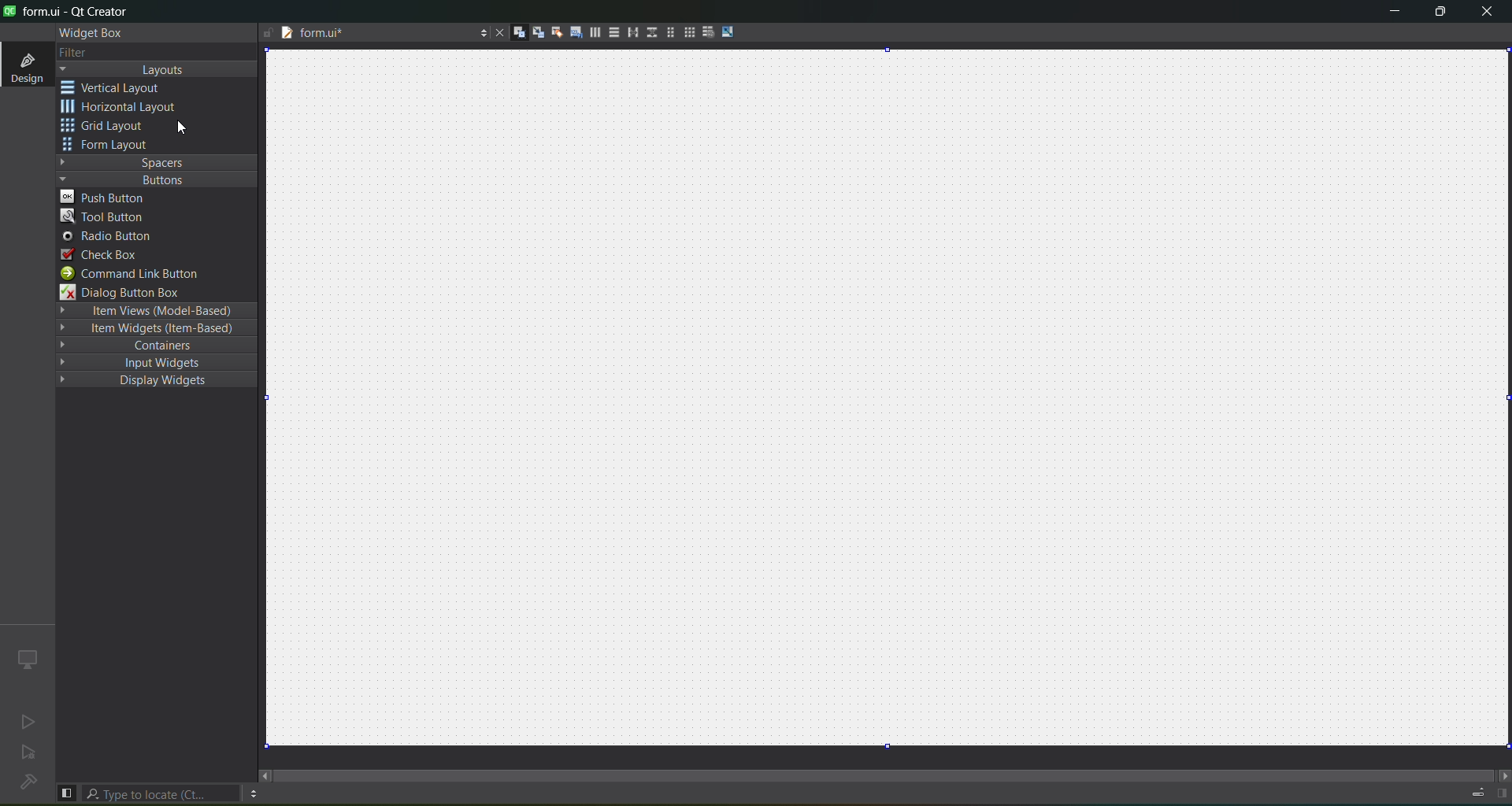 This screenshot has width=1512, height=806. What do you see at coordinates (154, 331) in the screenshot?
I see `item widgets` at bounding box center [154, 331].